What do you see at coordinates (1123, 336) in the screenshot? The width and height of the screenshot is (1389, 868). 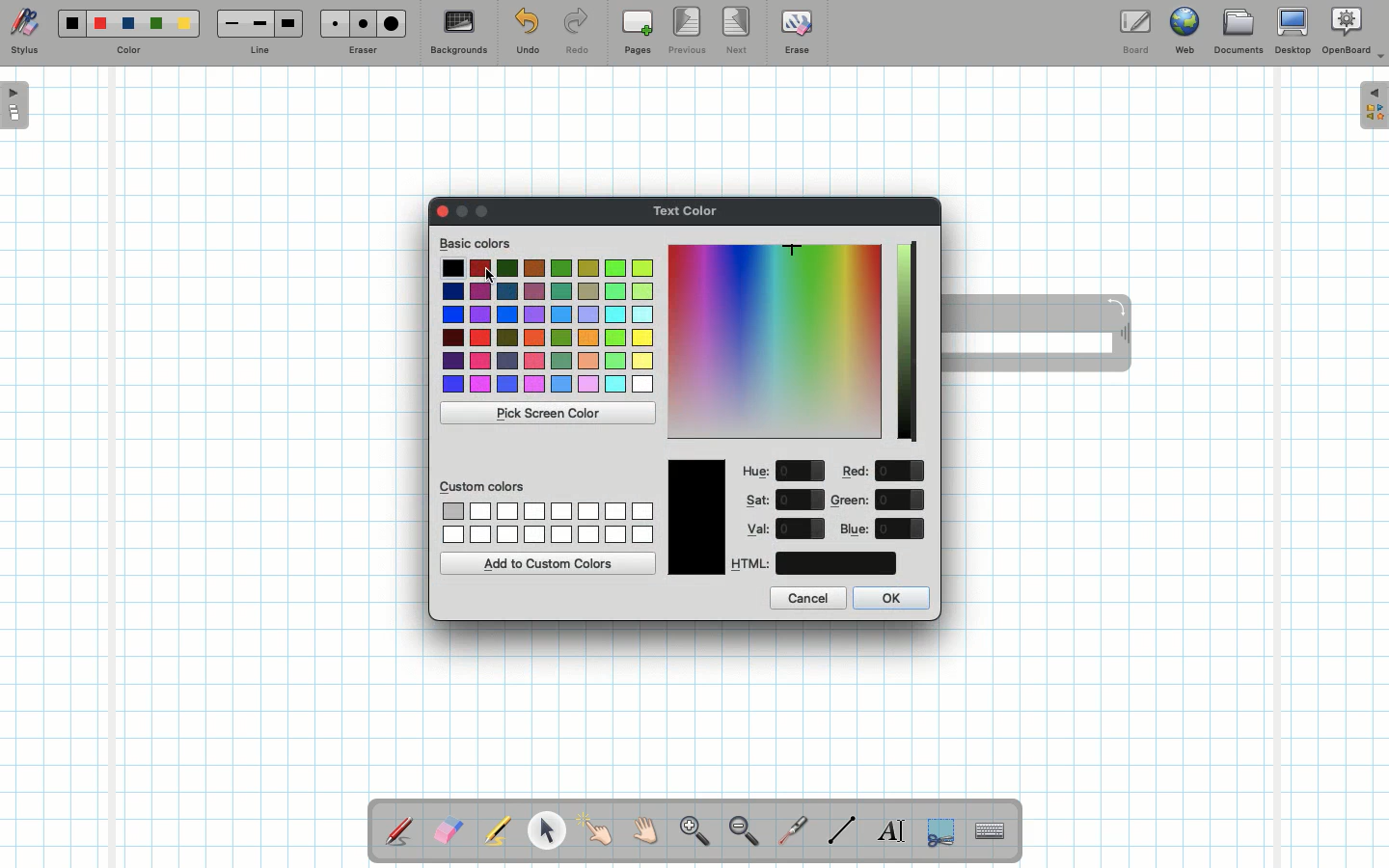 I see `Move` at bounding box center [1123, 336].